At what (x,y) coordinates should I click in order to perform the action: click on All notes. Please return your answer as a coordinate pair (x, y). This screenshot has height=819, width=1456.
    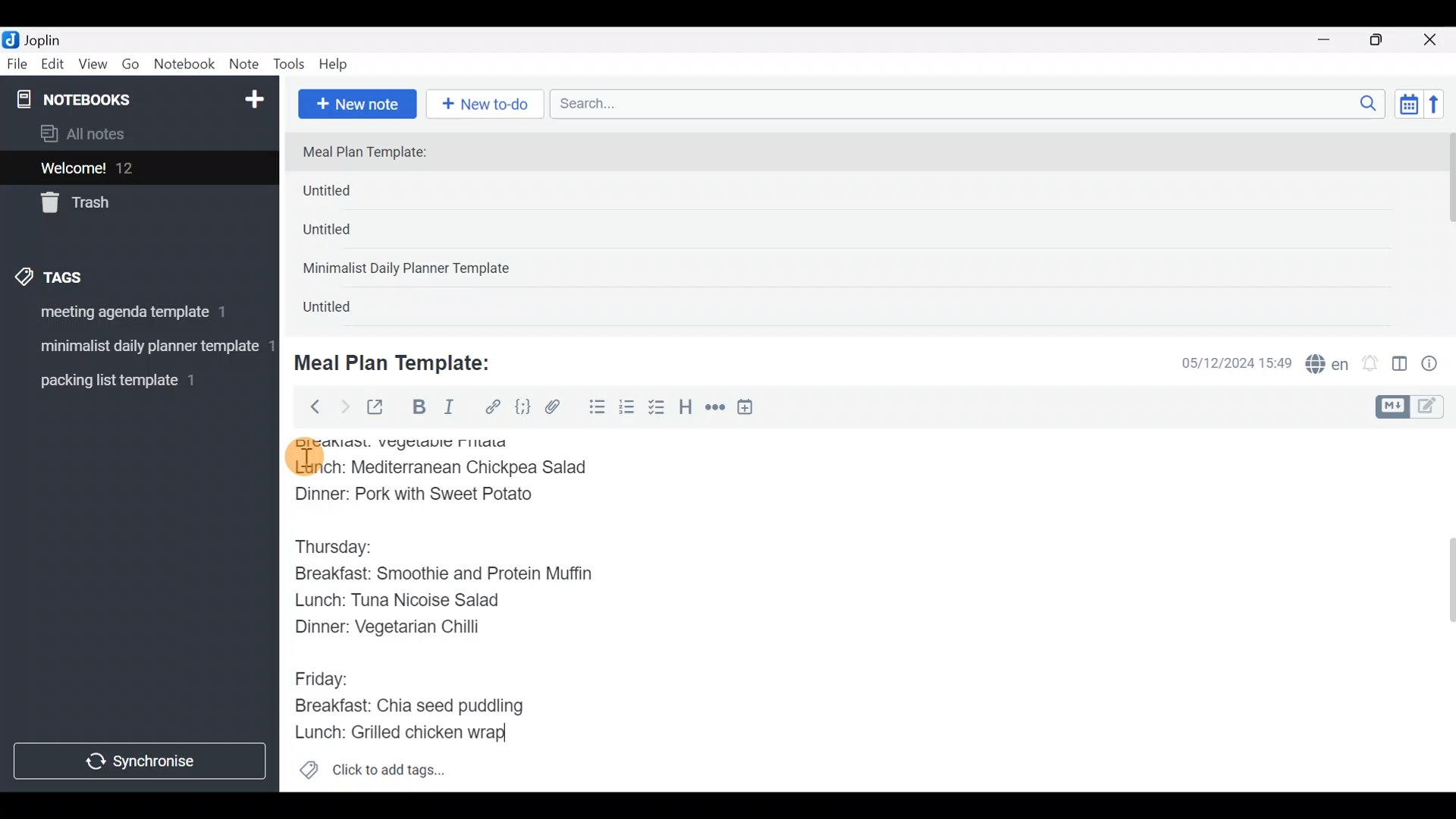
    Looking at the image, I should click on (136, 135).